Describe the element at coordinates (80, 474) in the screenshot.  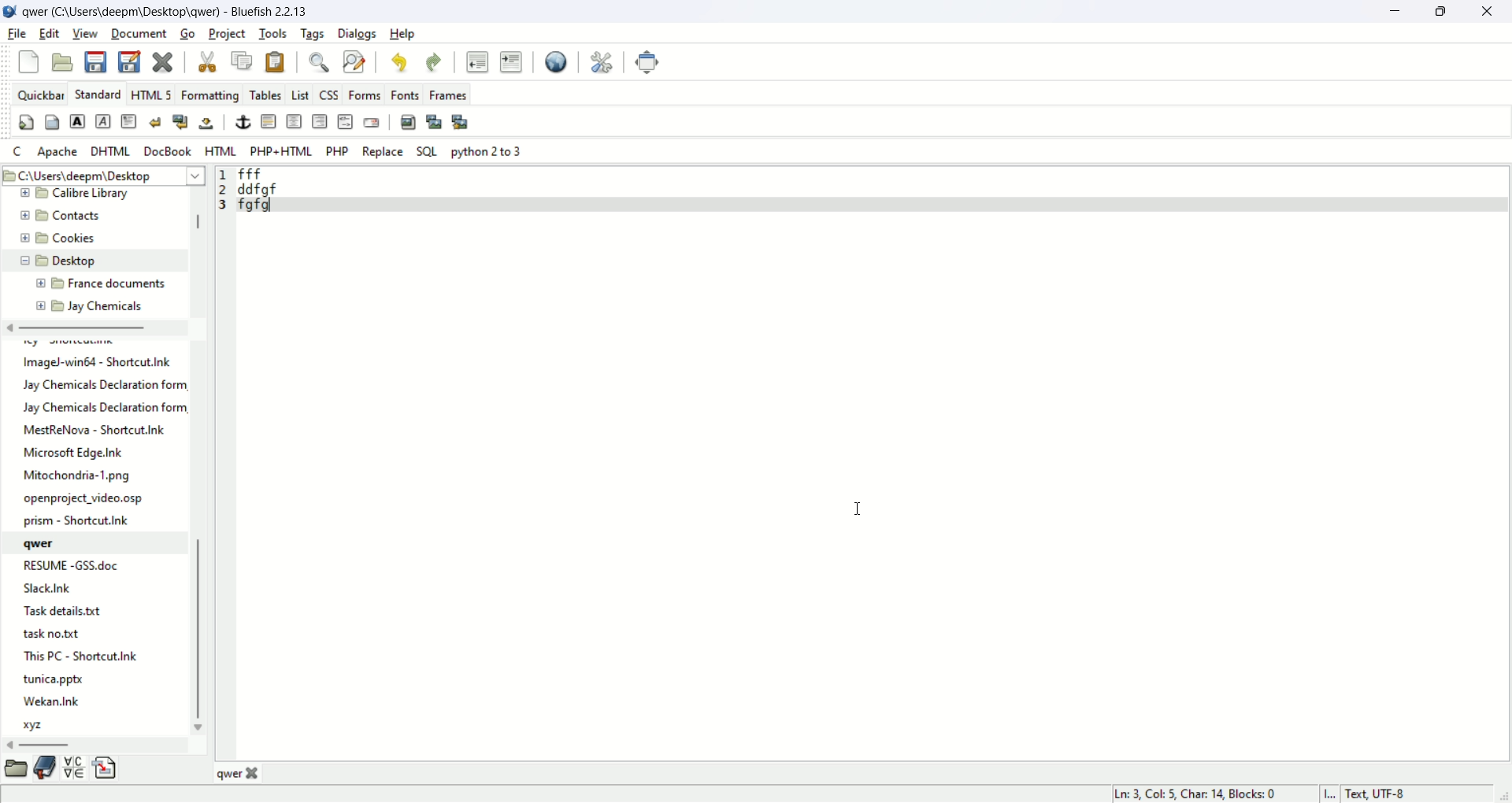
I see `file` at that location.